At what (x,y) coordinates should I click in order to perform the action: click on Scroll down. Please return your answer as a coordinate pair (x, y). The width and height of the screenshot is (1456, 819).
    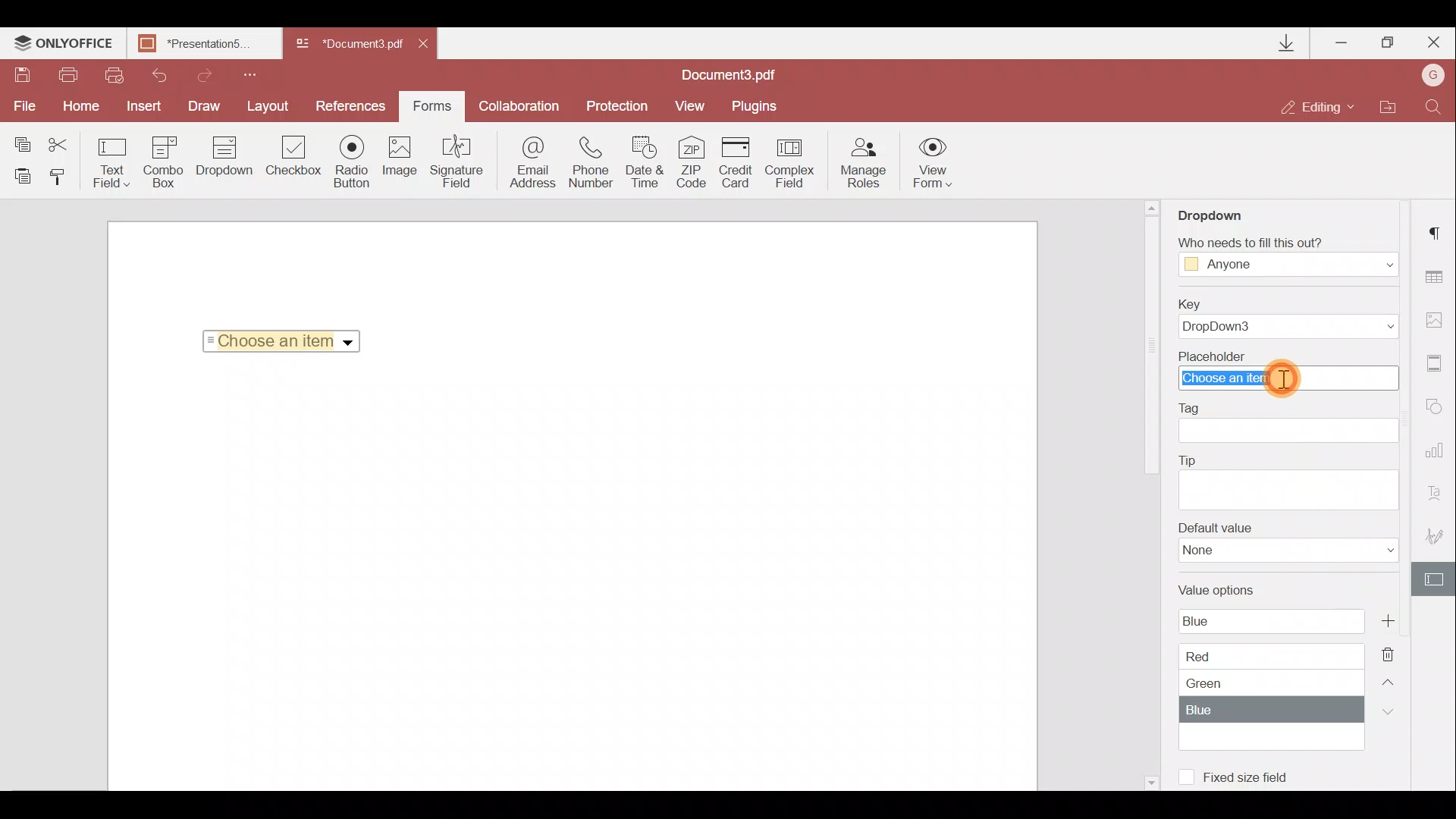
    Looking at the image, I should click on (1150, 780).